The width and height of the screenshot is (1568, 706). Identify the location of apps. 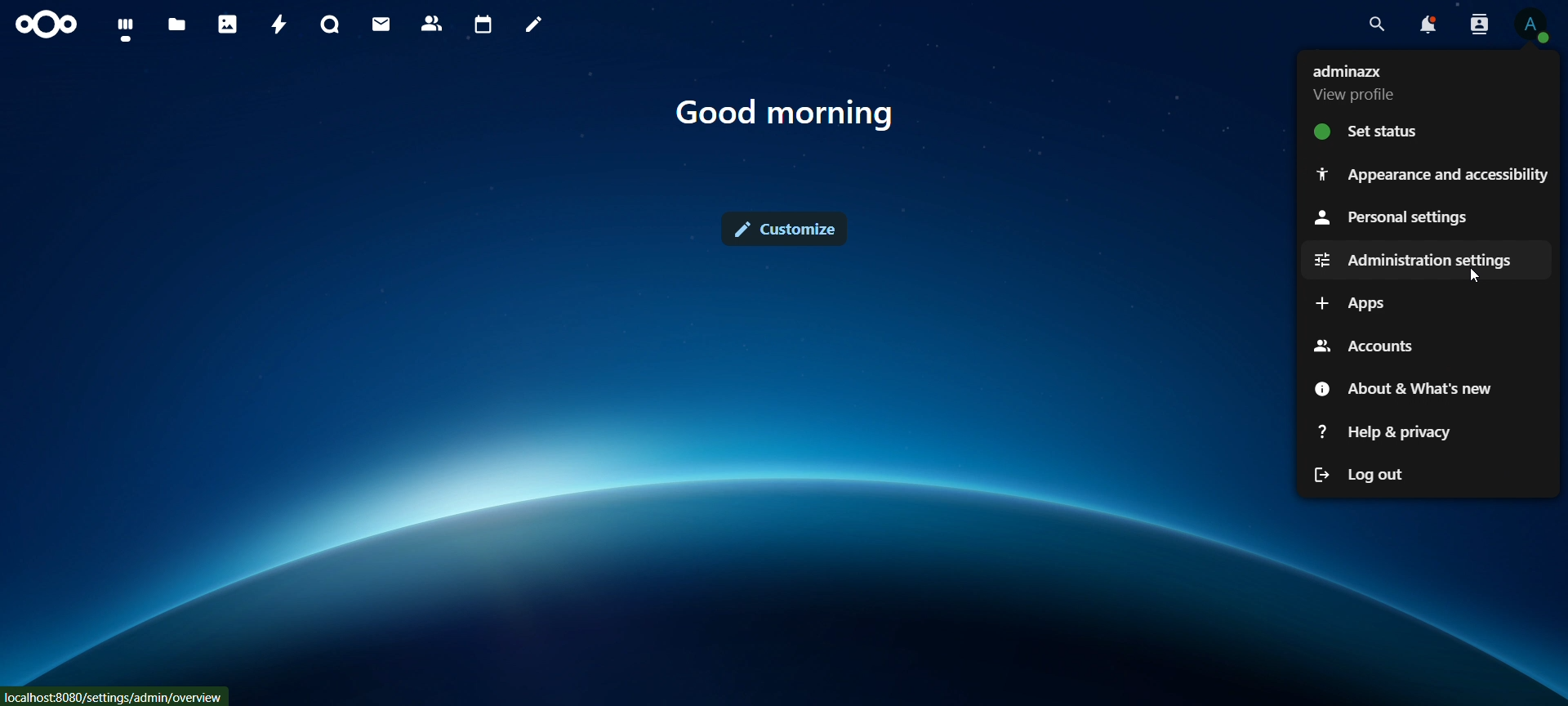
(1355, 301).